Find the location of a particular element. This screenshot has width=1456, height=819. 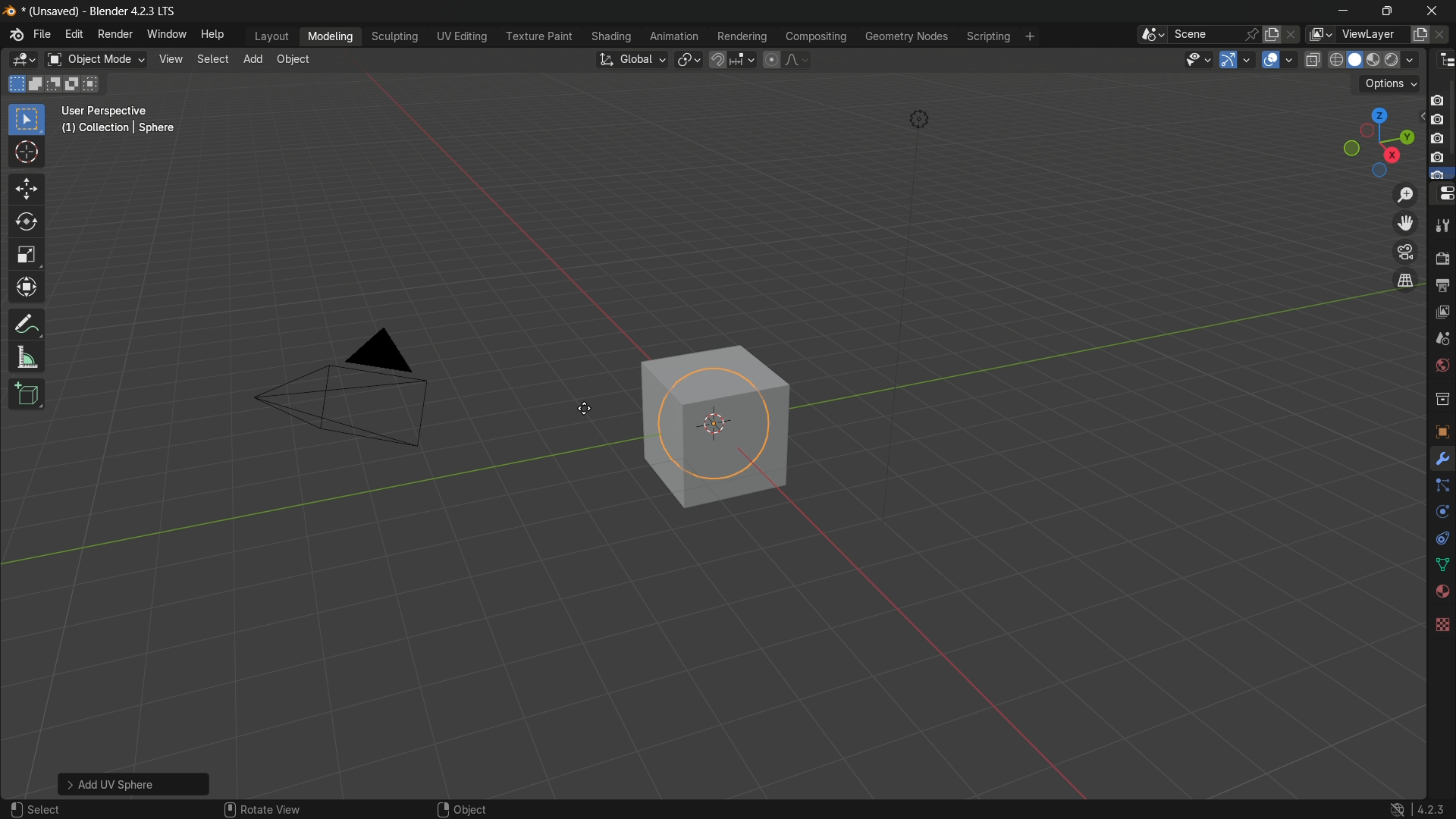

scale is located at coordinates (28, 256).